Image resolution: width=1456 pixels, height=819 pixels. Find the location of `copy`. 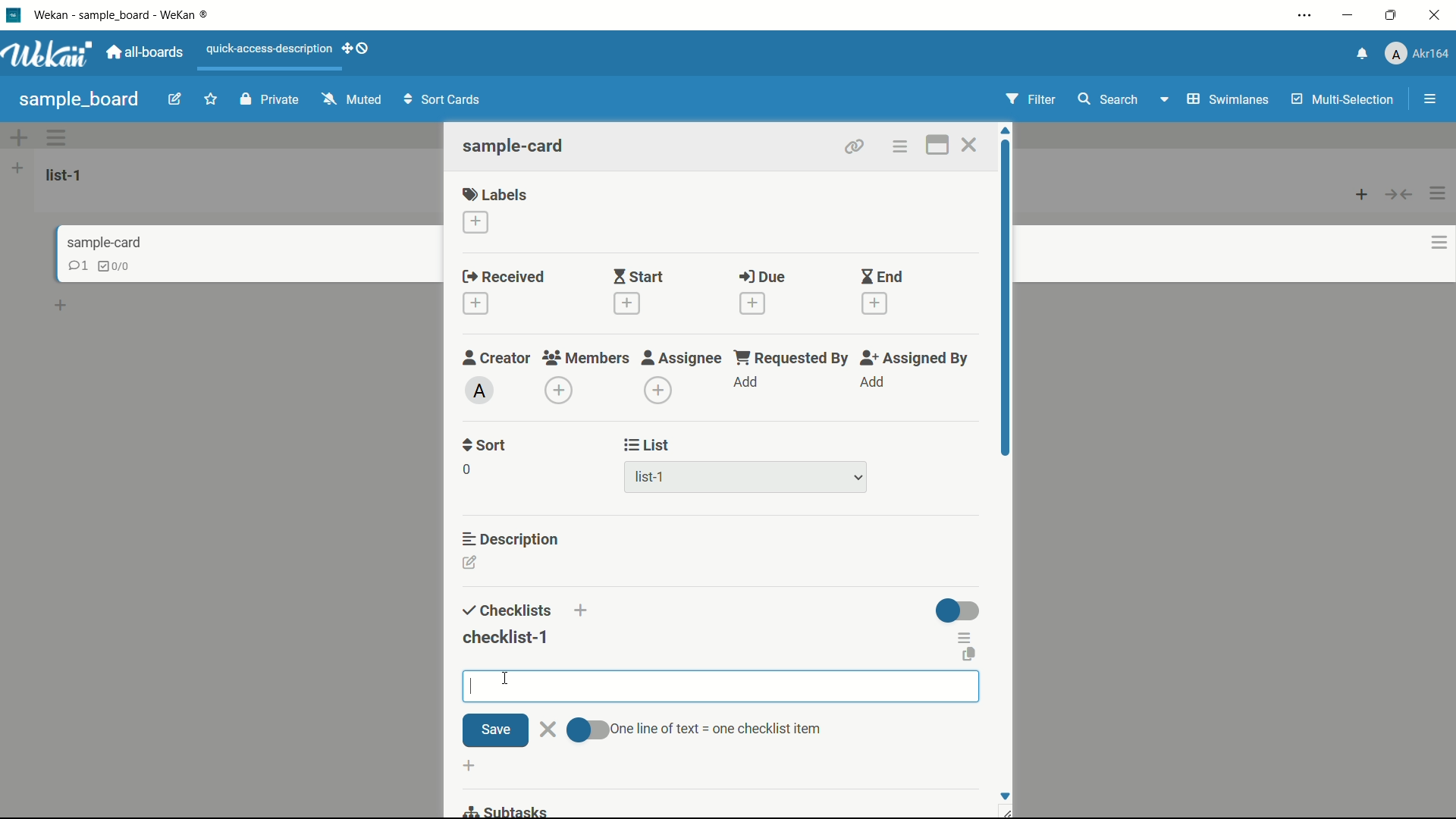

copy is located at coordinates (965, 655).